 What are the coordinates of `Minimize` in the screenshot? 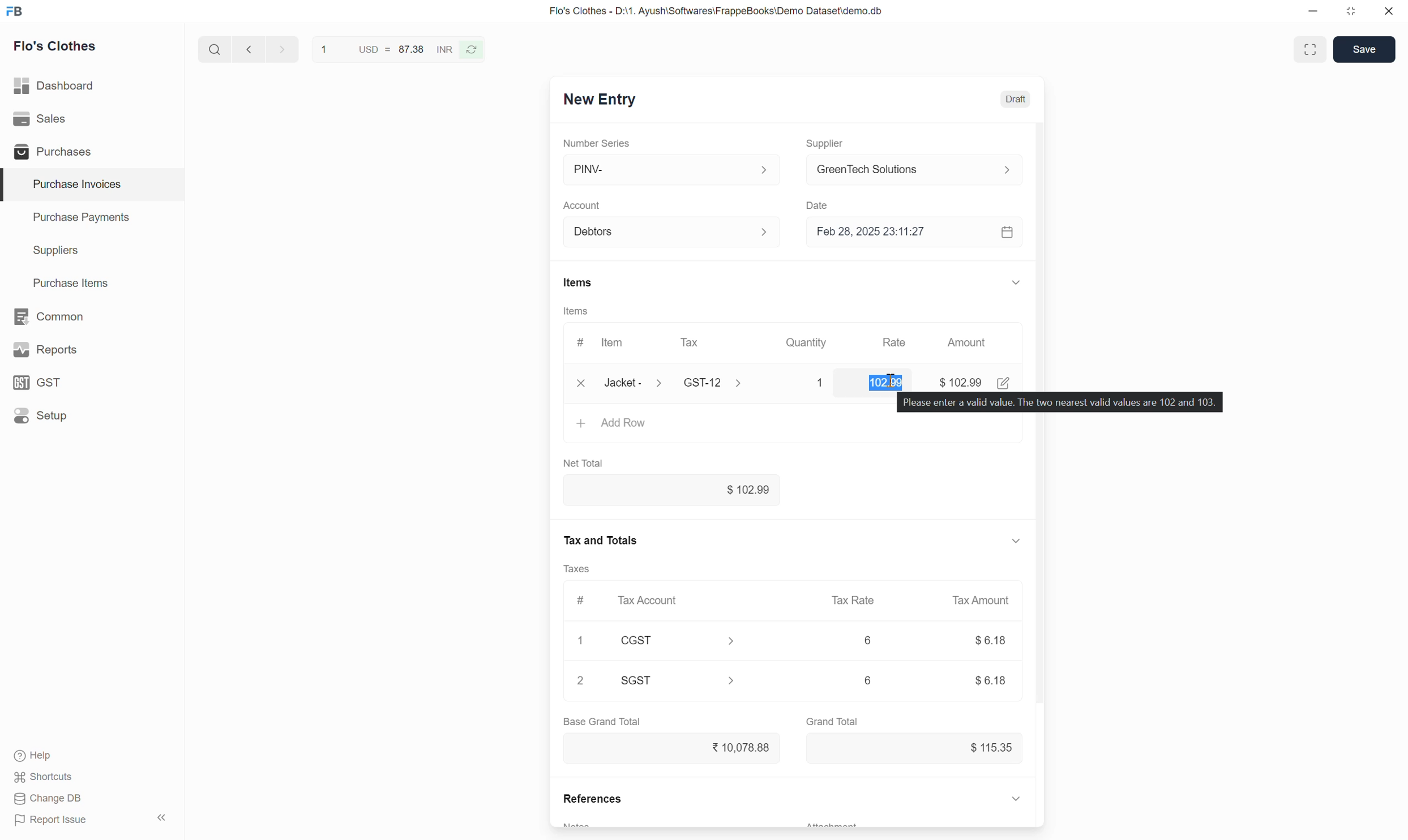 It's located at (1313, 11).